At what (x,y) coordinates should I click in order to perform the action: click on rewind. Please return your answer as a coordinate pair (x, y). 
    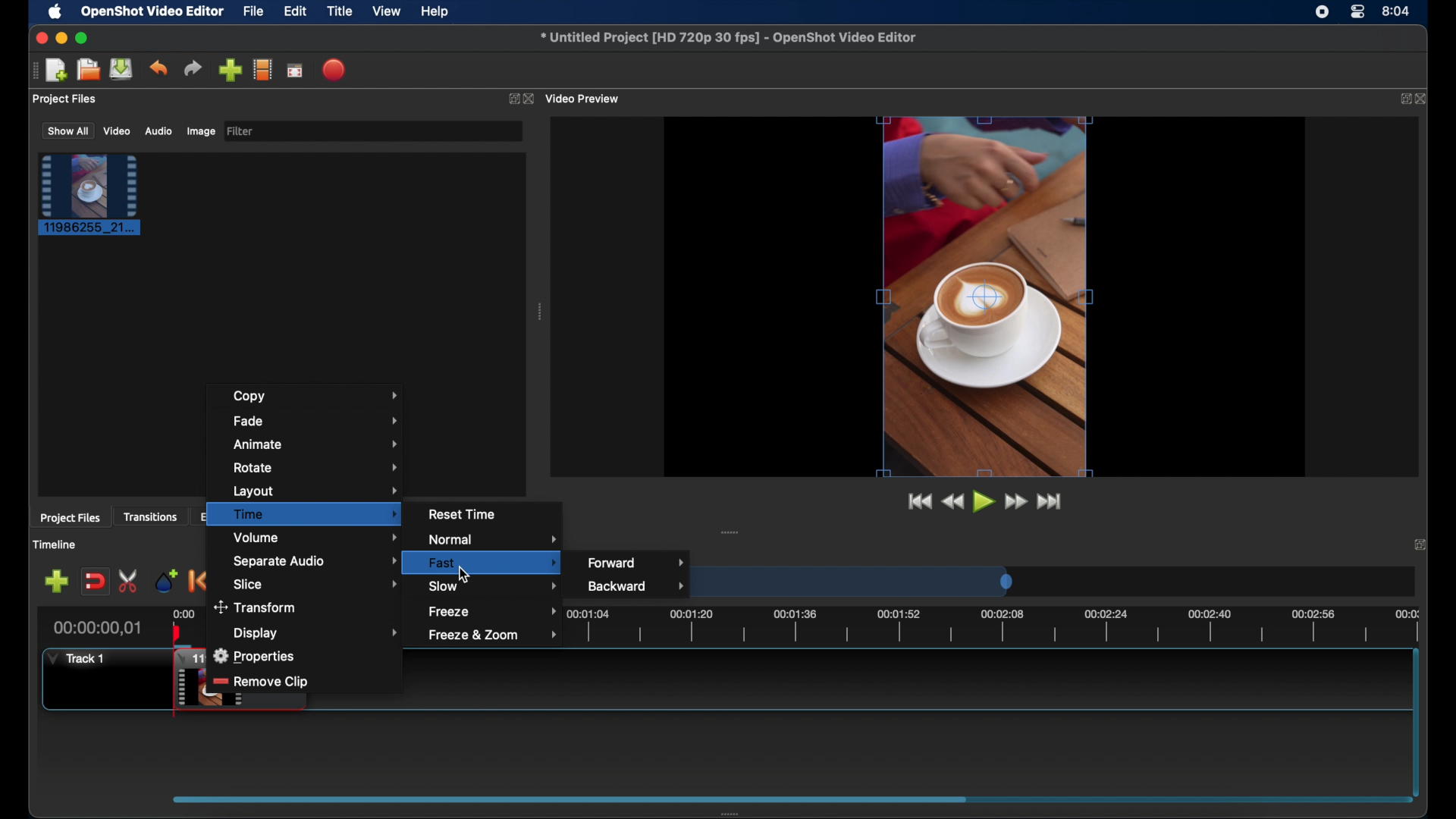
    Looking at the image, I should click on (953, 502).